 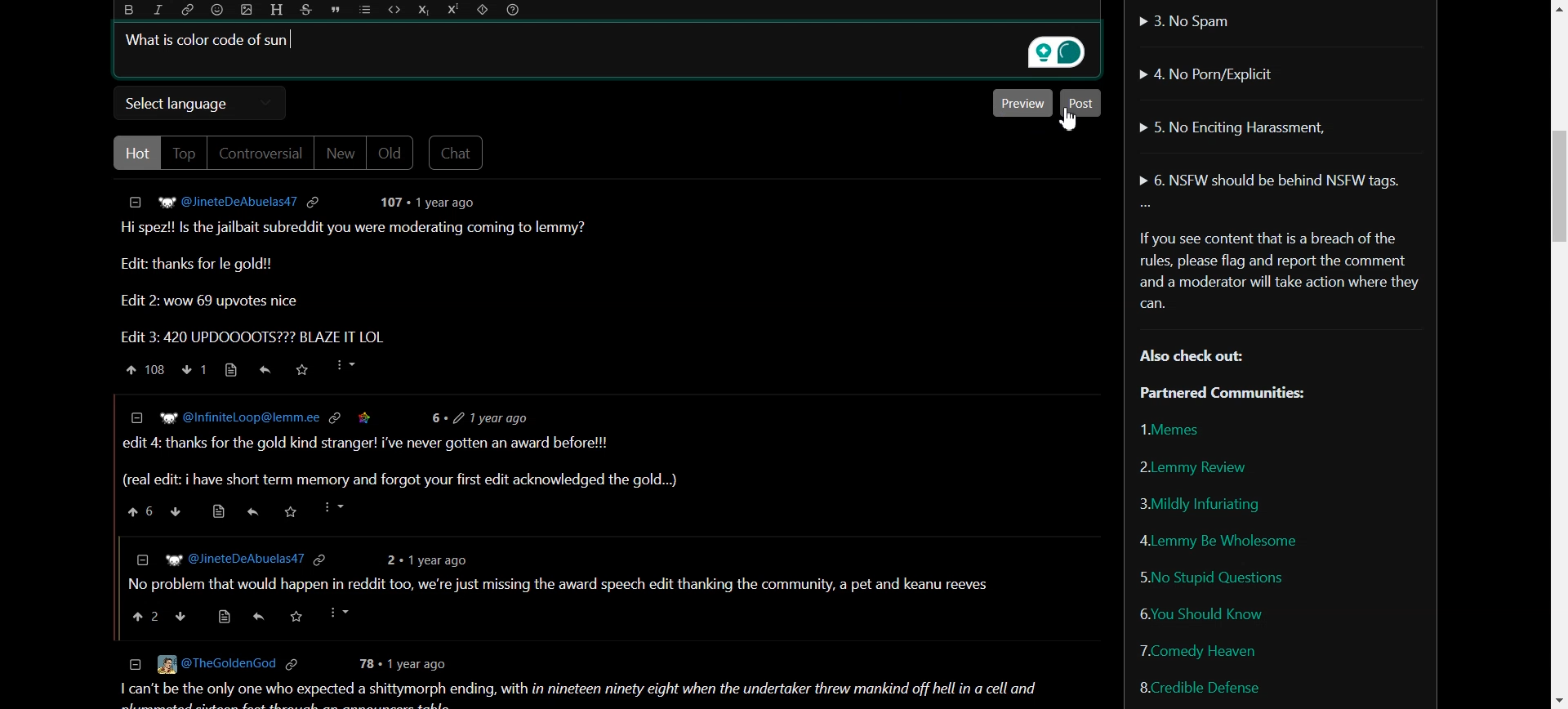 What do you see at coordinates (514, 11) in the screenshot?
I see `Formatting Help` at bounding box center [514, 11].